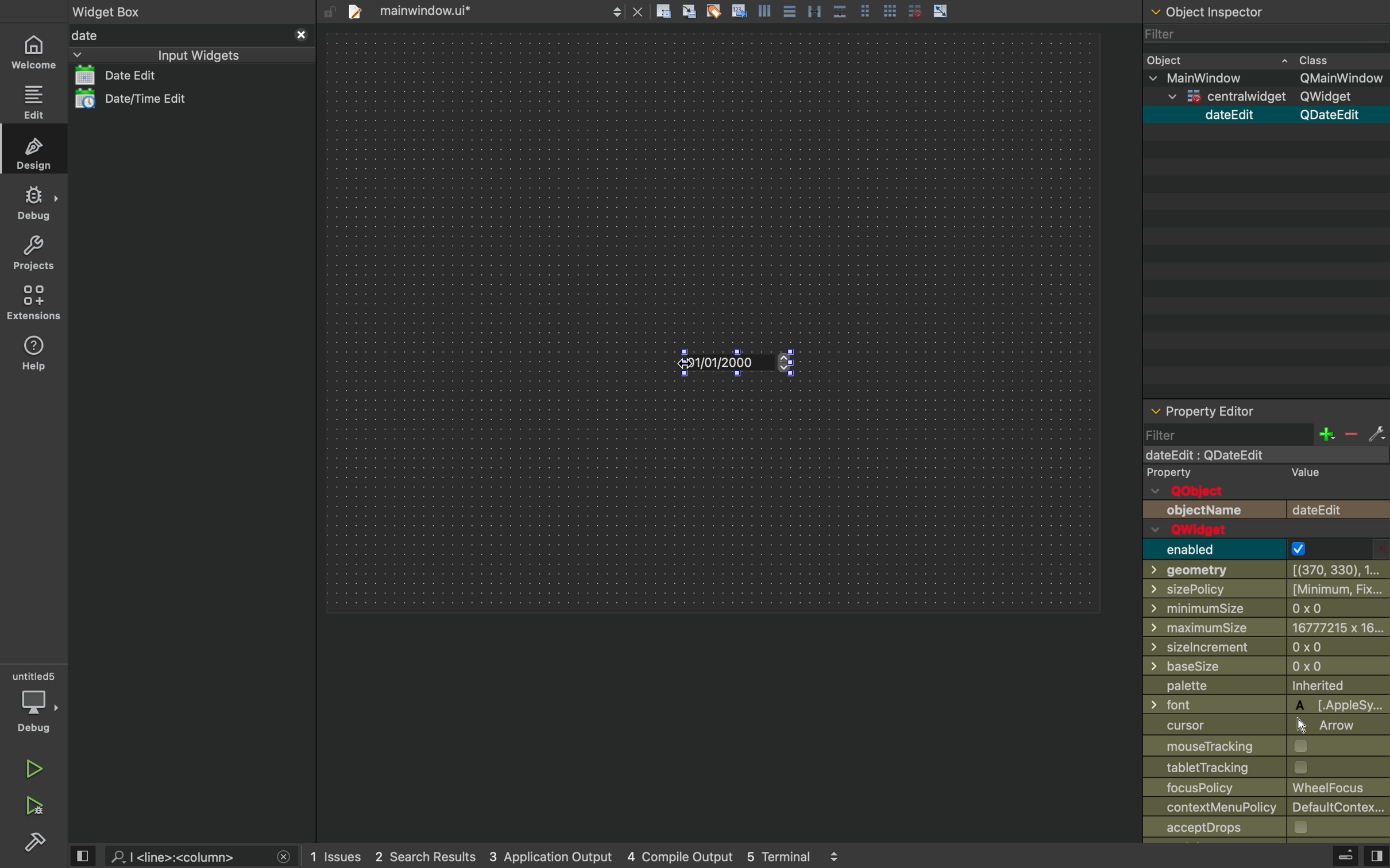  What do you see at coordinates (1261, 666) in the screenshot?
I see `basesize` at bounding box center [1261, 666].